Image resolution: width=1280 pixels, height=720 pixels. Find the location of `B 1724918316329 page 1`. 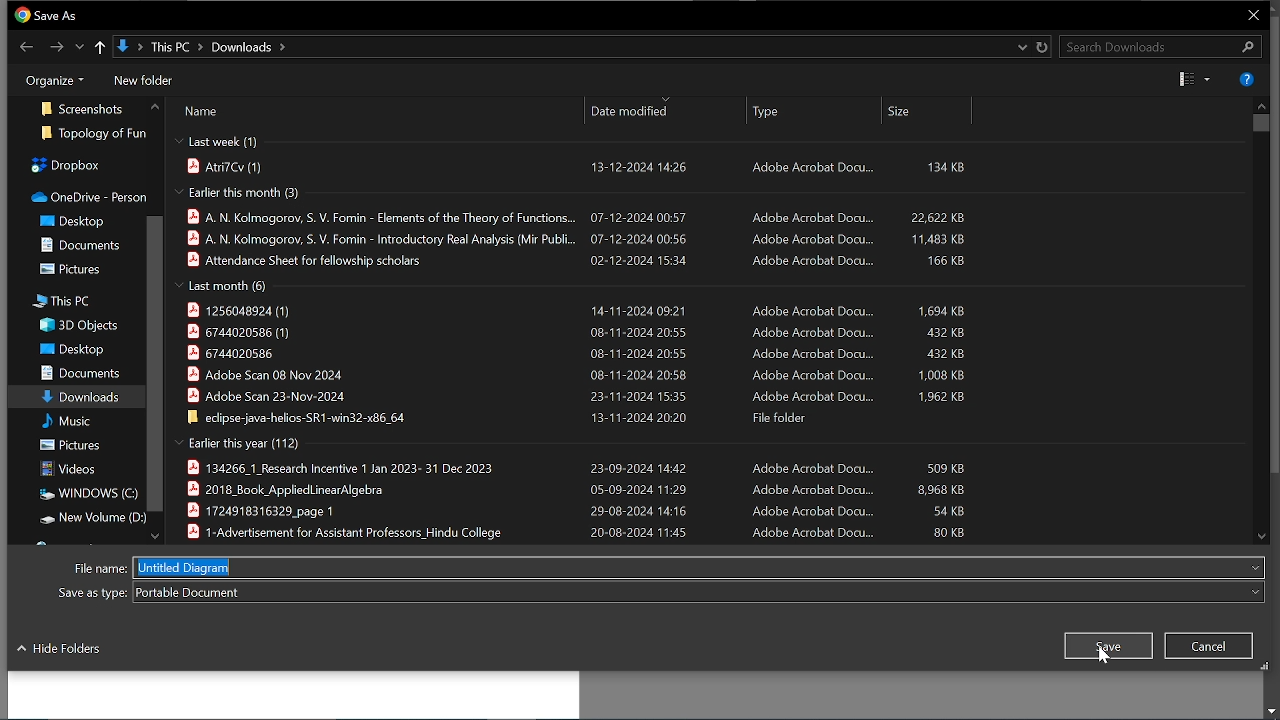

B 1724918316329 page 1 is located at coordinates (262, 509).